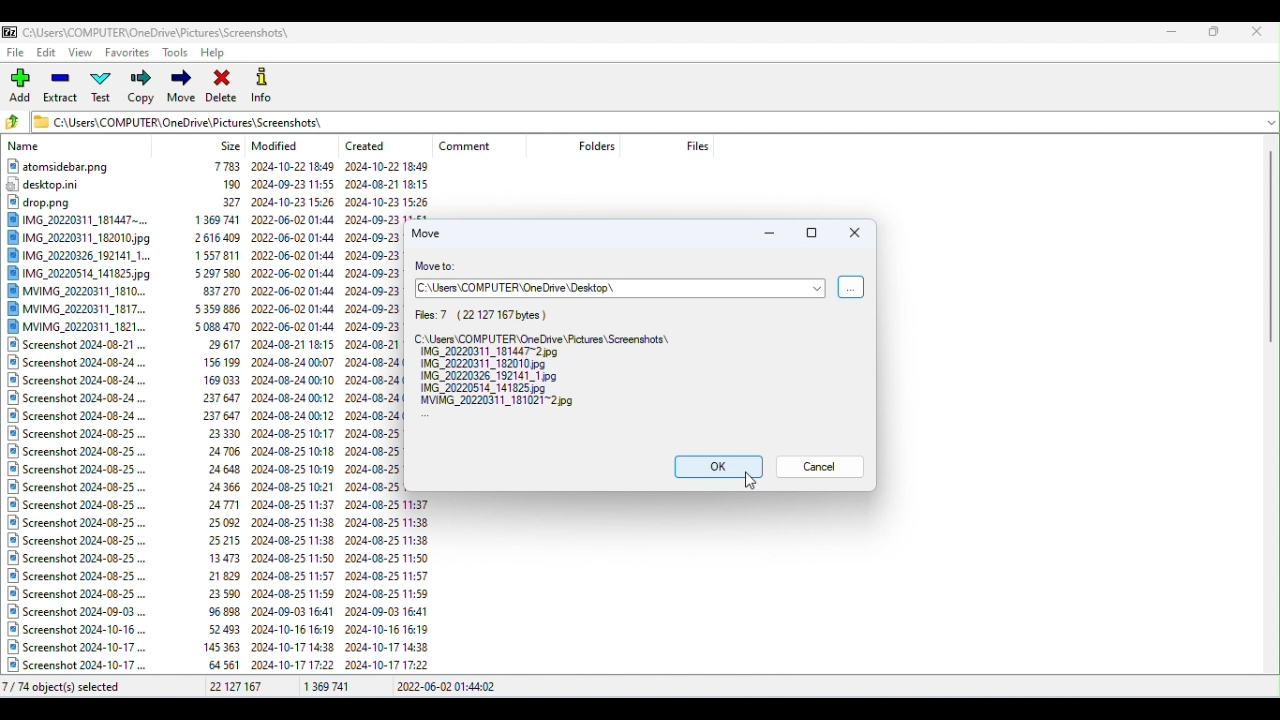 The width and height of the screenshot is (1280, 720). Describe the element at coordinates (231, 145) in the screenshot. I see `Size` at that location.